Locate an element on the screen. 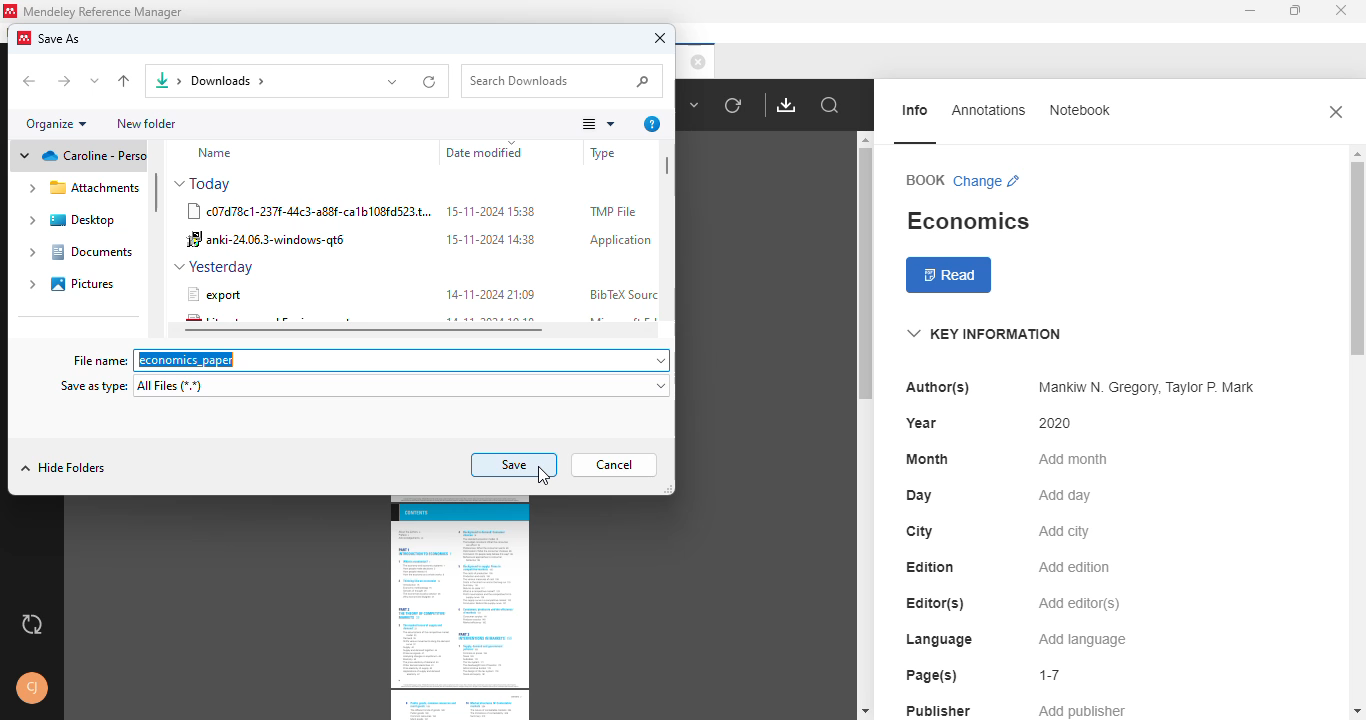 The image size is (1366, 720). name is located at coordinates (214, 153).